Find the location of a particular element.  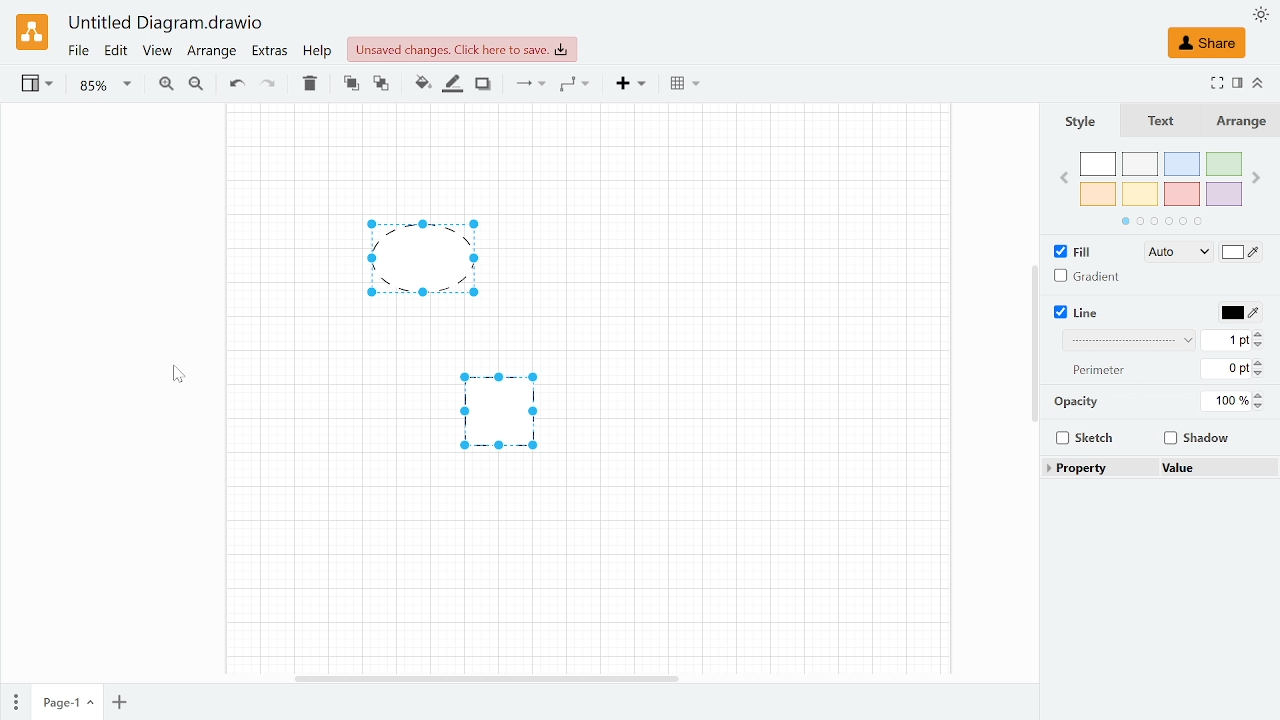

Previous is located at coordinates (1062, 177).